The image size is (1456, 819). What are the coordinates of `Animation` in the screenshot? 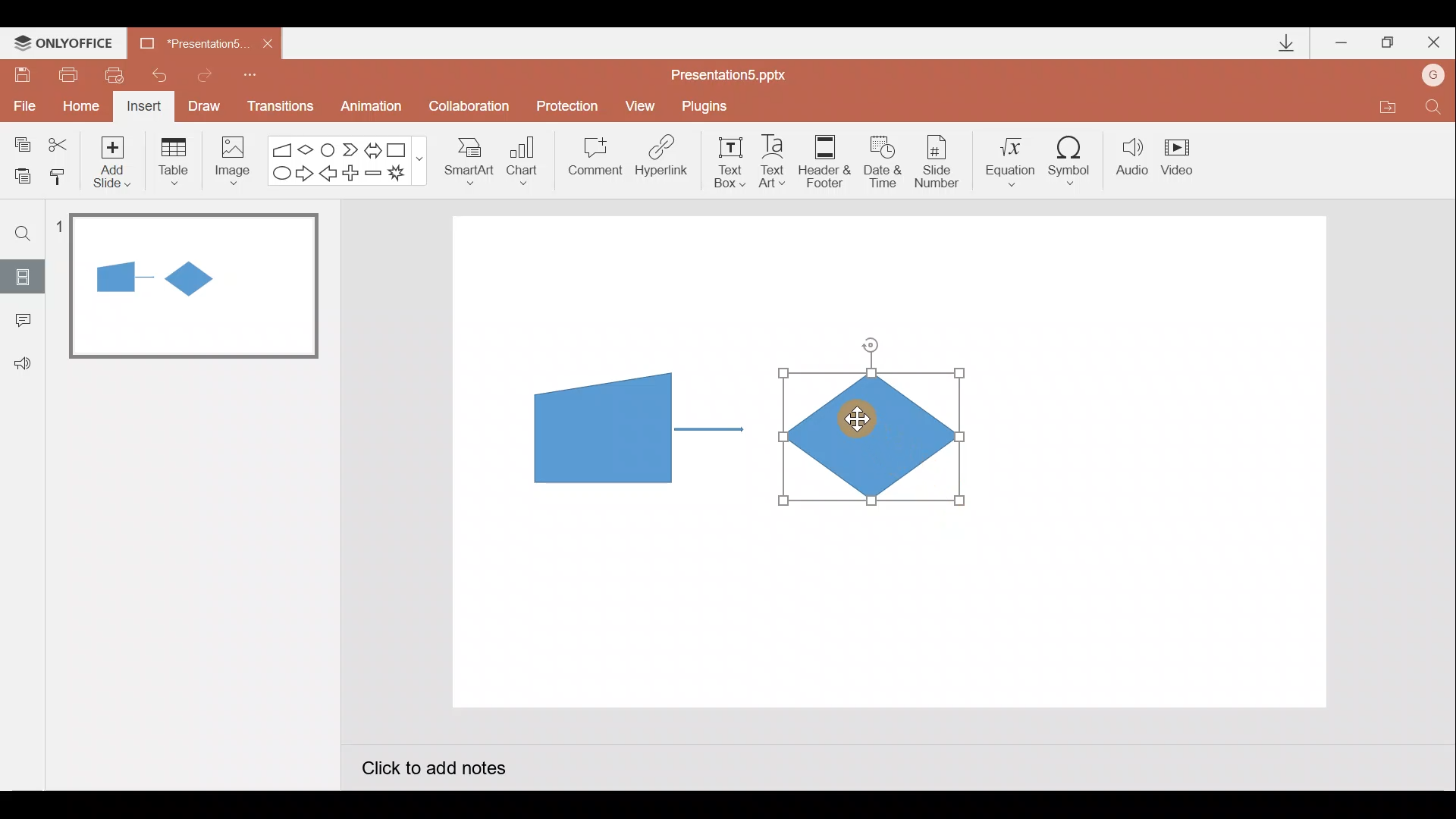 It's located at (373, 108).